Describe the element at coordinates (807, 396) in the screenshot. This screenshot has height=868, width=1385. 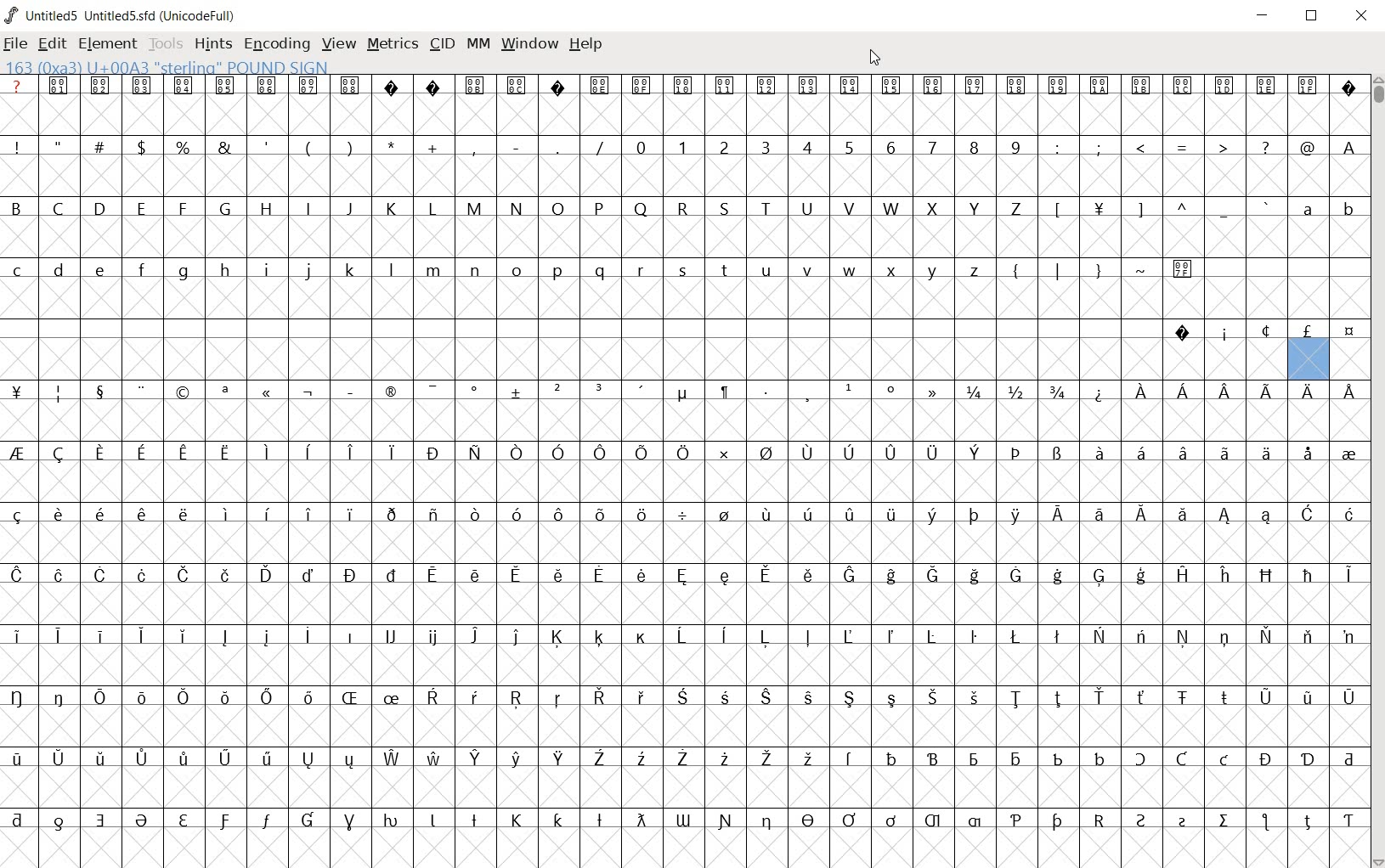
I see `Symbol` at that location.